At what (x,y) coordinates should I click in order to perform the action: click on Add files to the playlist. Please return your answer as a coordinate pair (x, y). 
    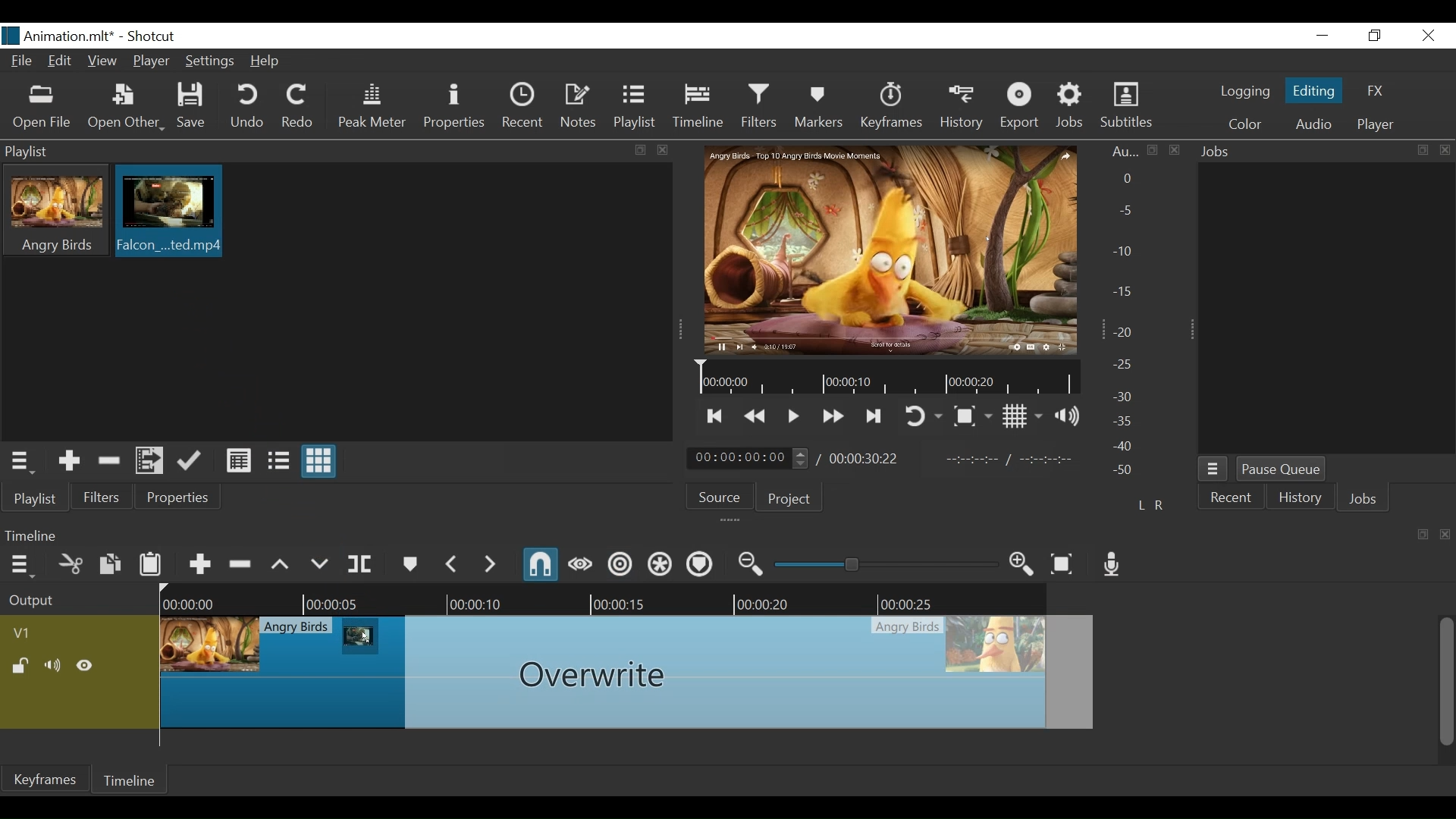
    Looking at the image, I should click on (149, 460).